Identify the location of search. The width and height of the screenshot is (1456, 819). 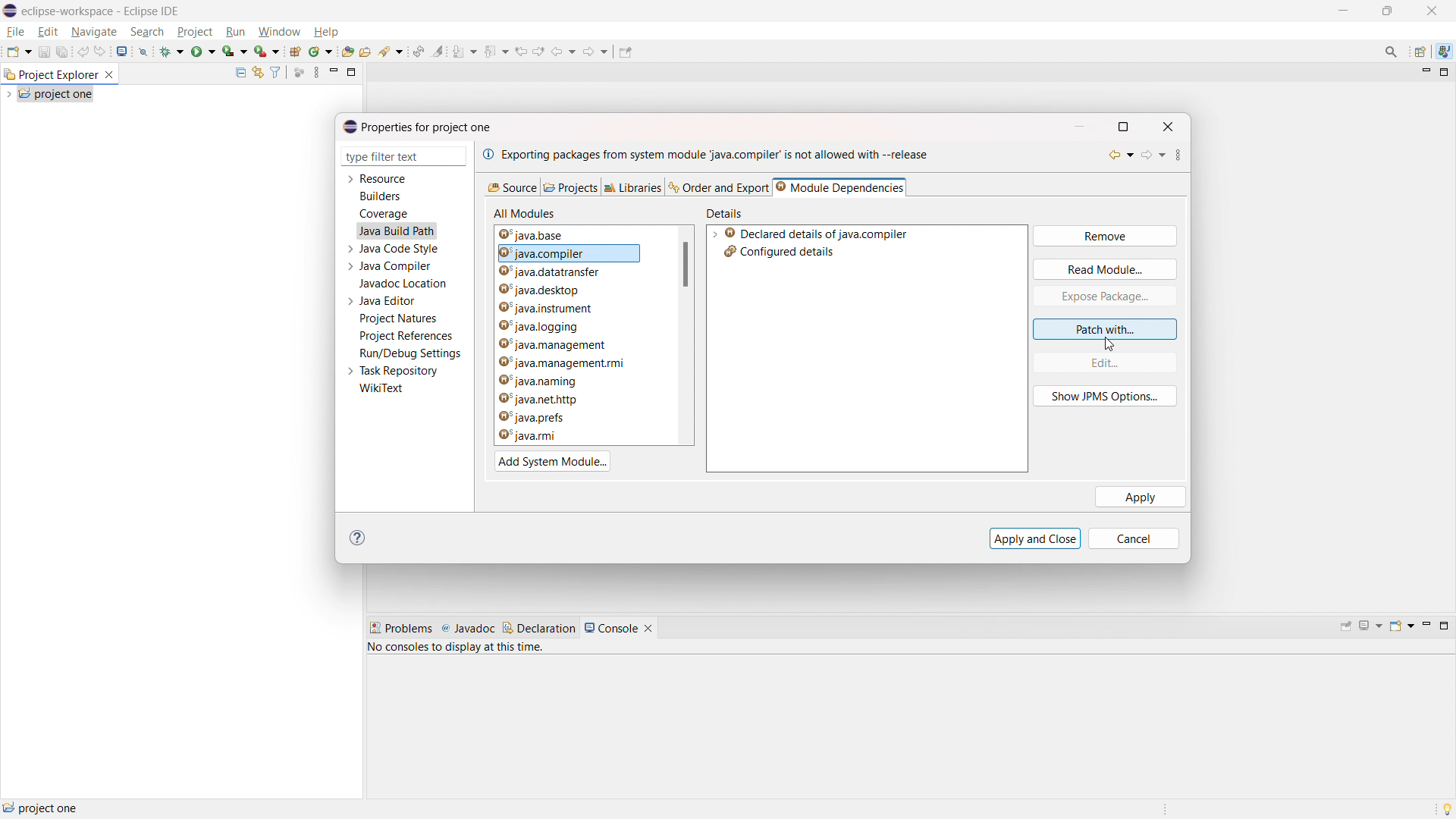
(391, 52).